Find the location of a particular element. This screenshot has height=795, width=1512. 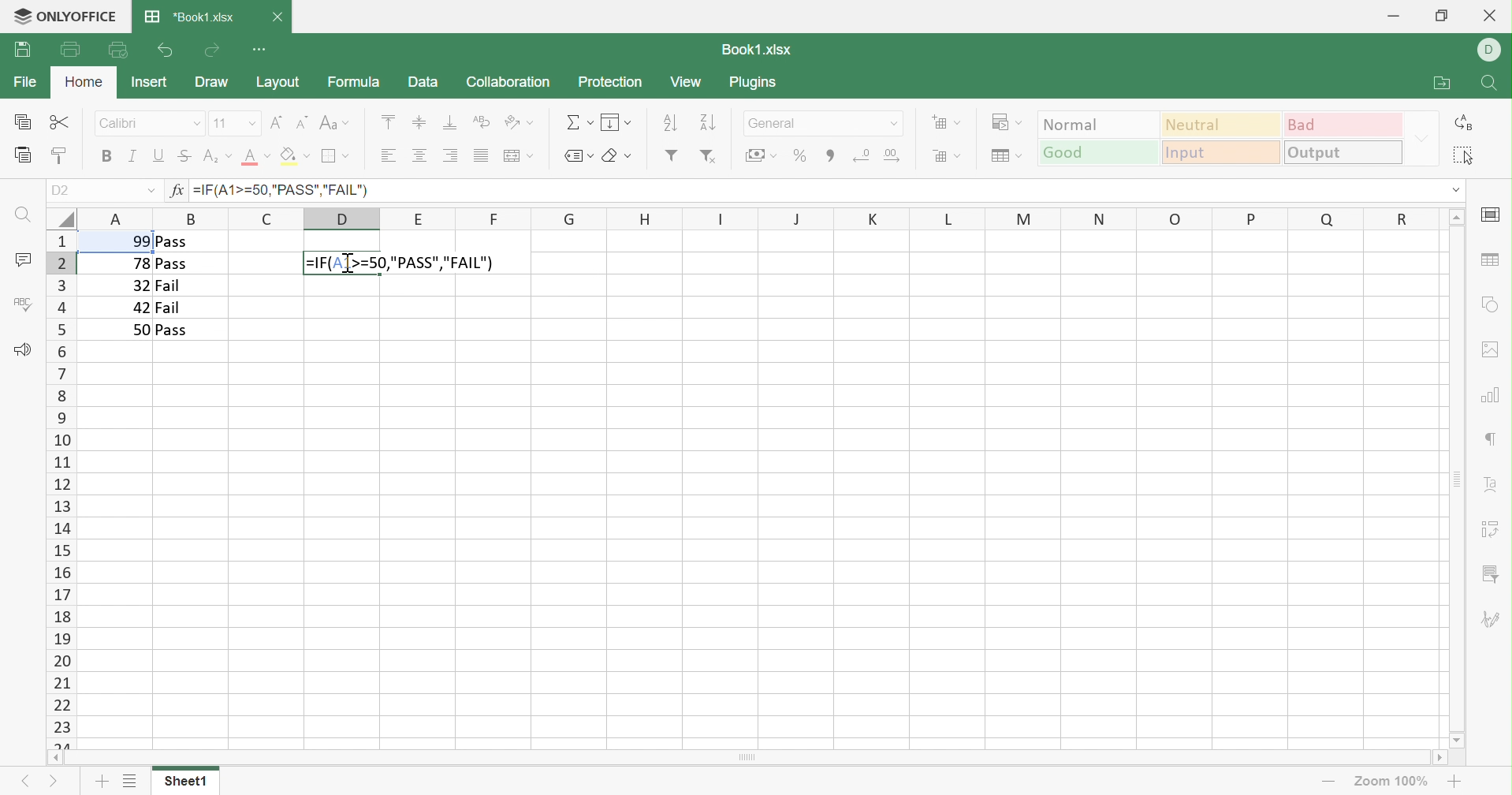

Cut is located at coordinates (61, 123).